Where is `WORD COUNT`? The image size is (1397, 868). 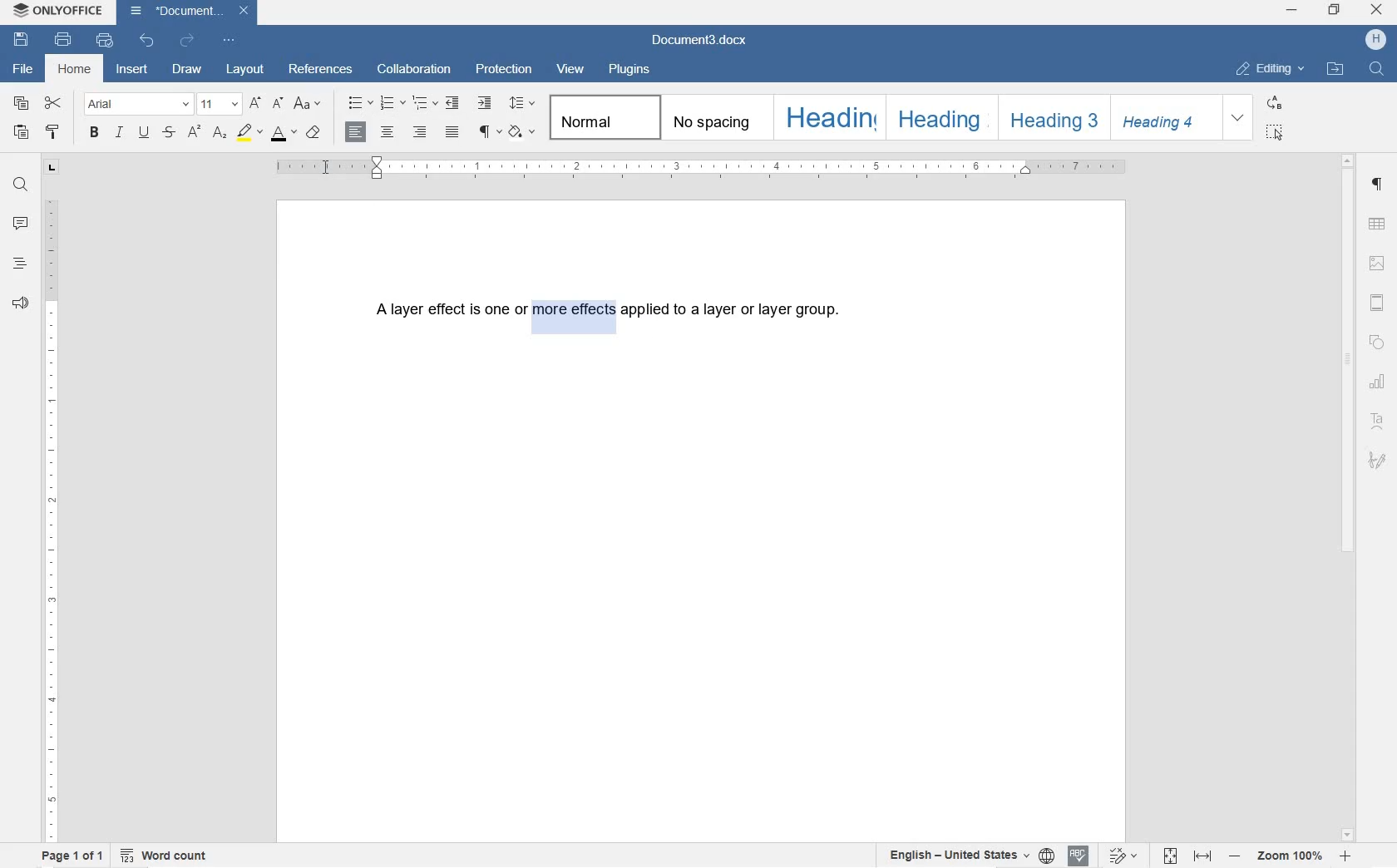 WORD COUNT is located at coordinates (164, 856).